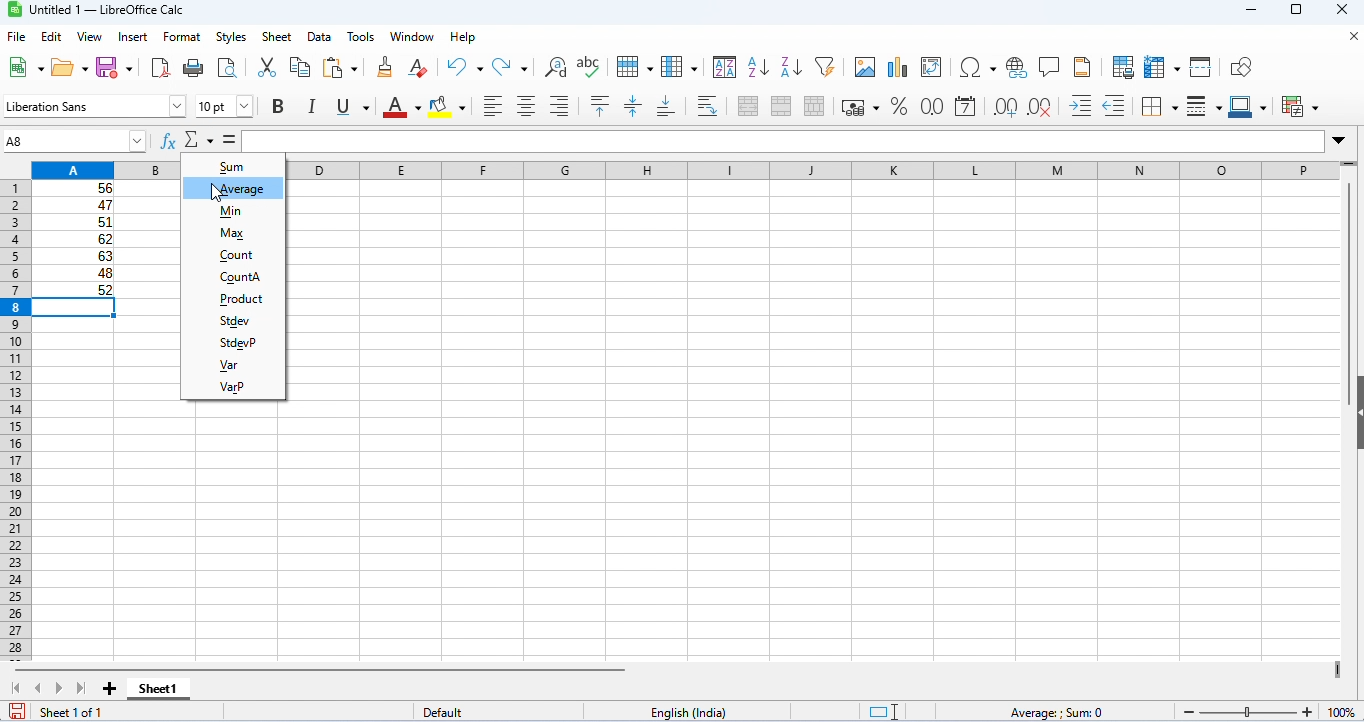  Describe the element at coordinates (933, 68) in the screenshot. I see `insert or edit pivot table` at that location.